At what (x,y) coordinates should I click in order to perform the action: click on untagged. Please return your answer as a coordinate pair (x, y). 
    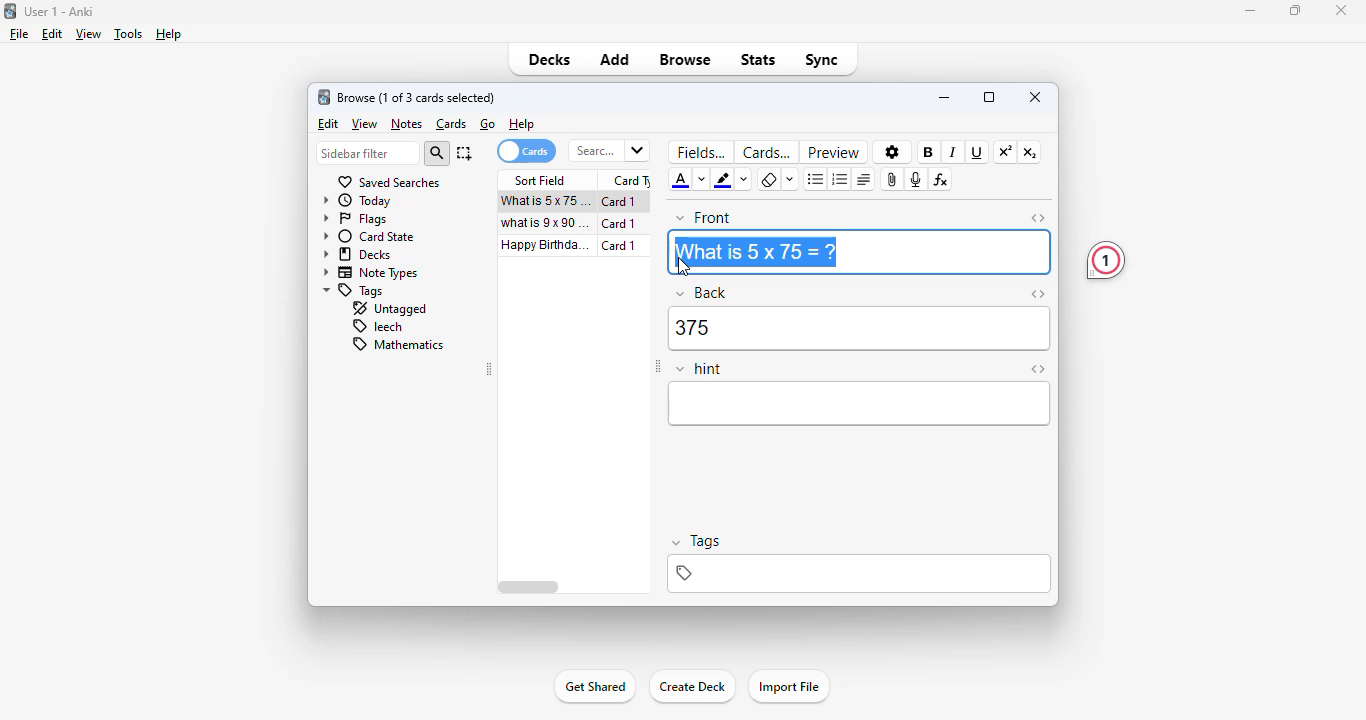
    Looking at the image, I should click on (391, 309).